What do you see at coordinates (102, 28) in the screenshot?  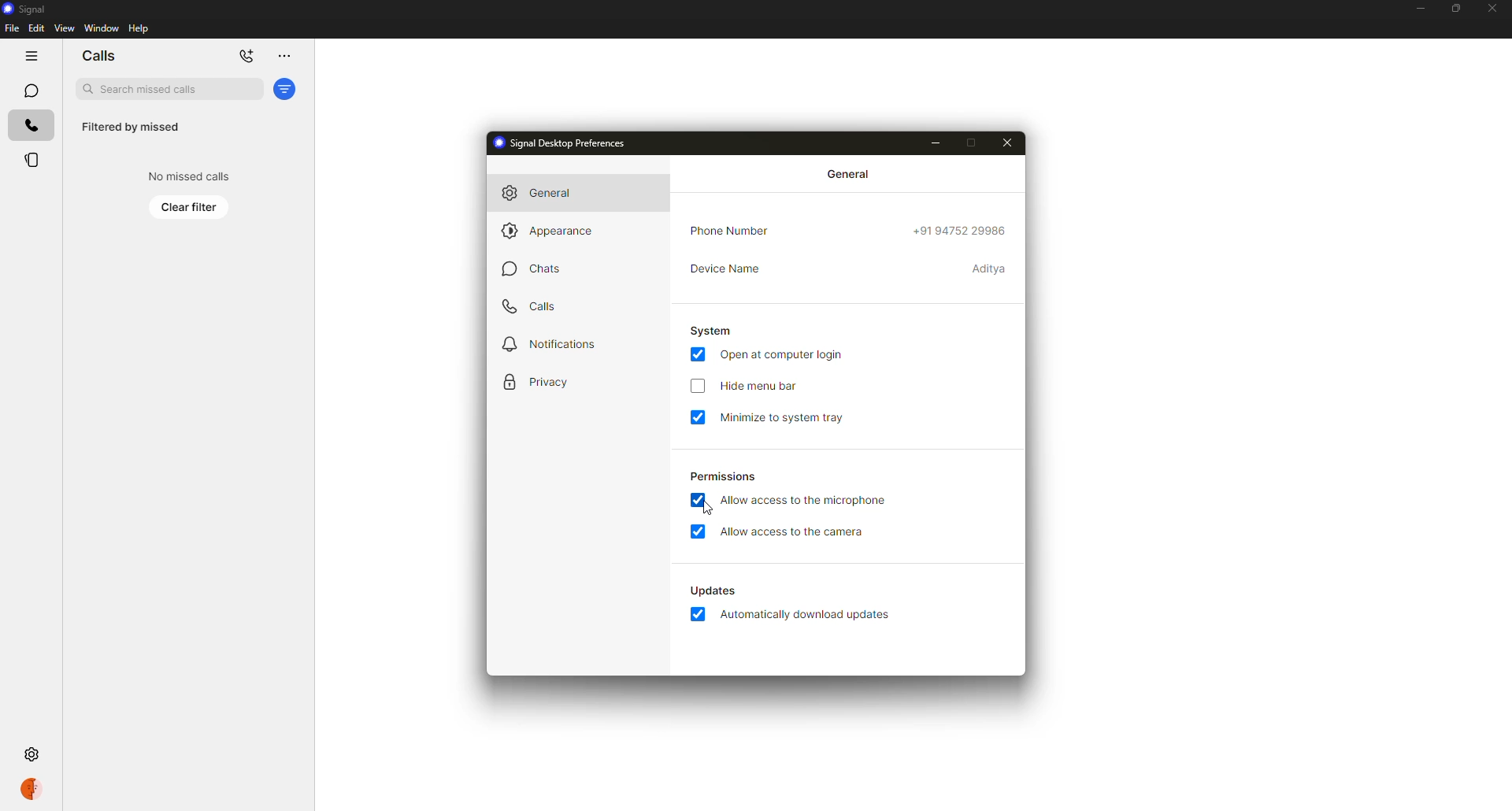 I see `window` at bounding box center [102, 28].